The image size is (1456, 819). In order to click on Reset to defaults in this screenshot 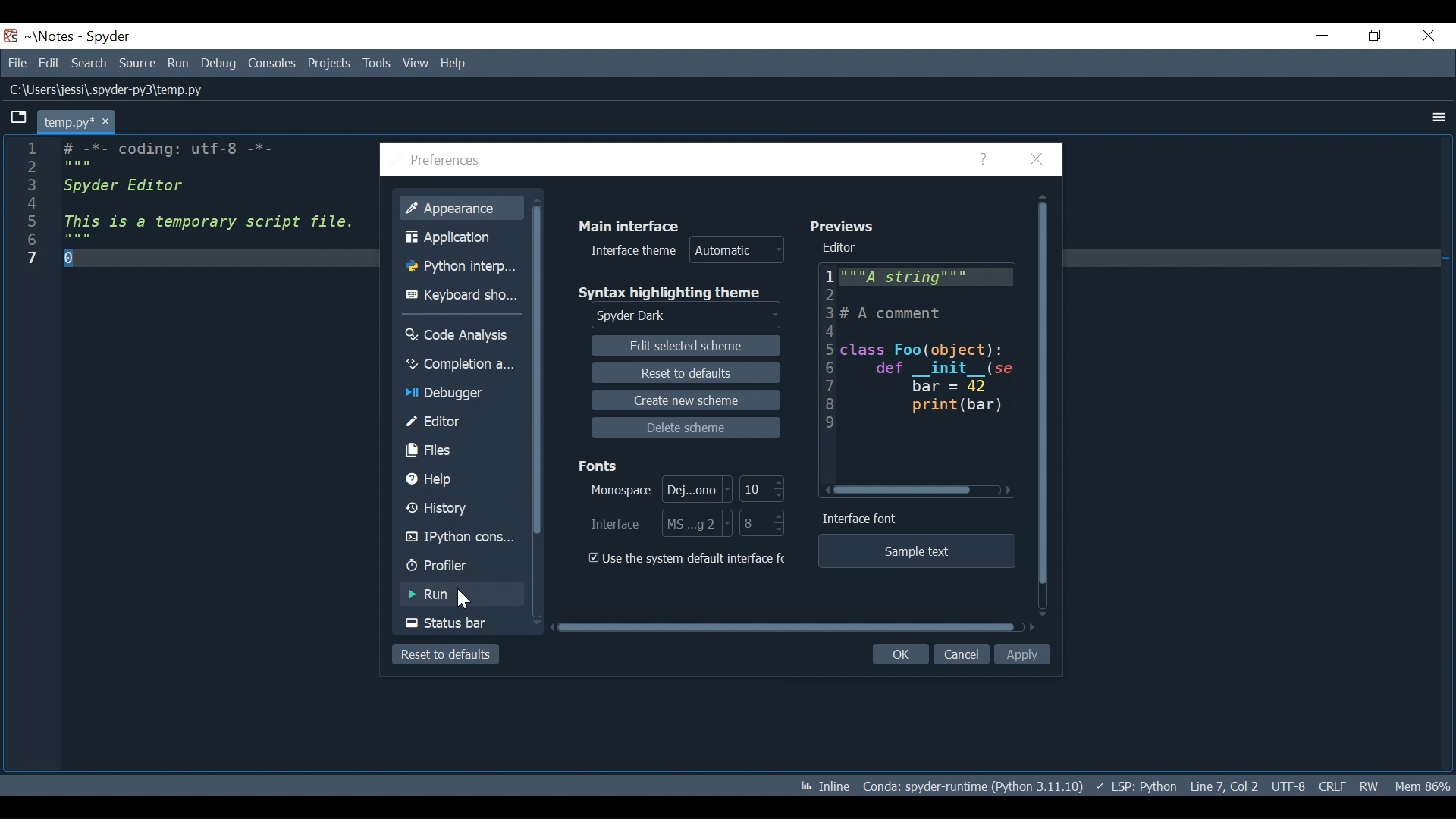, I will do `click(447, 653)`.